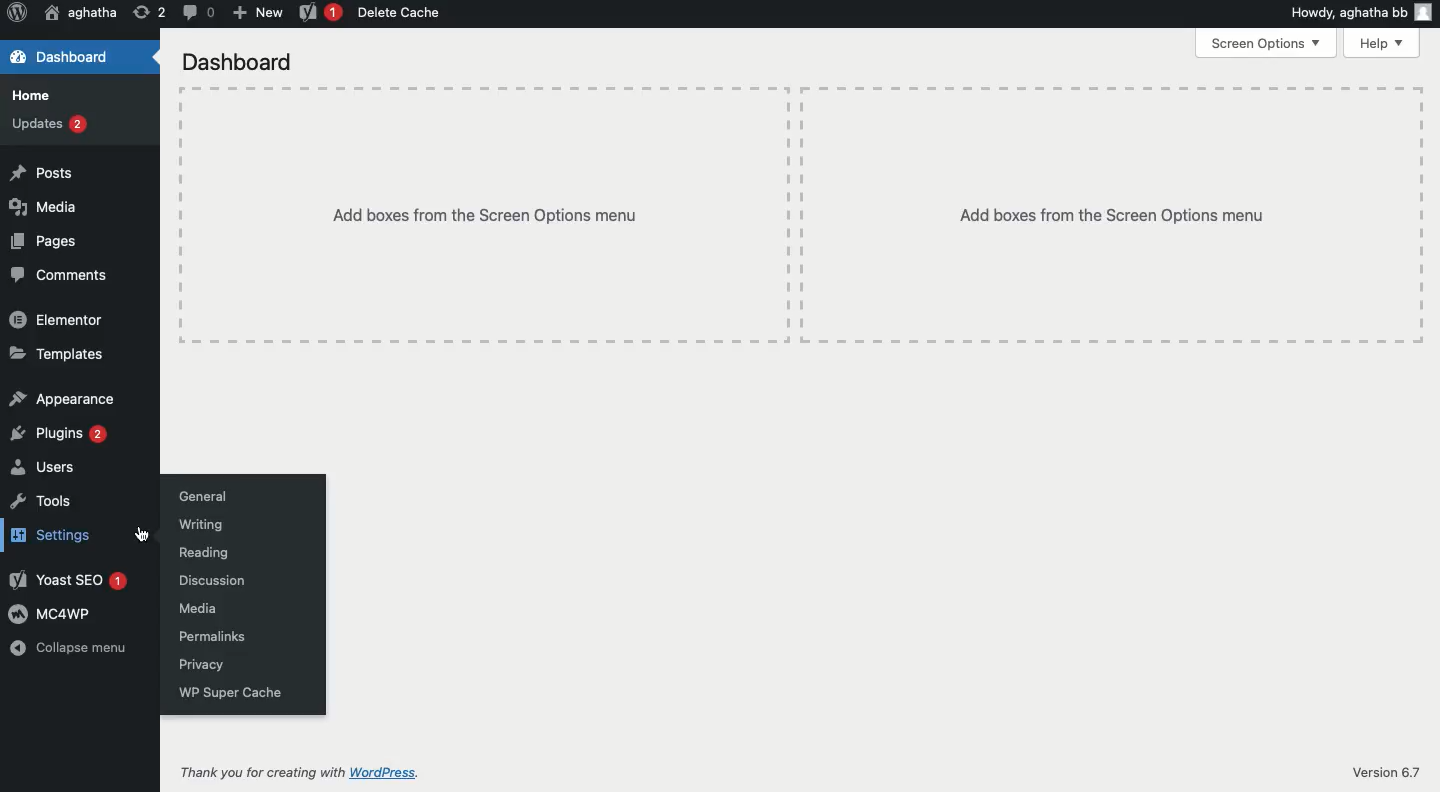  Describe the element at coordinates (1386, 772) in the screenshot. I see `Version 6.7` at that location.